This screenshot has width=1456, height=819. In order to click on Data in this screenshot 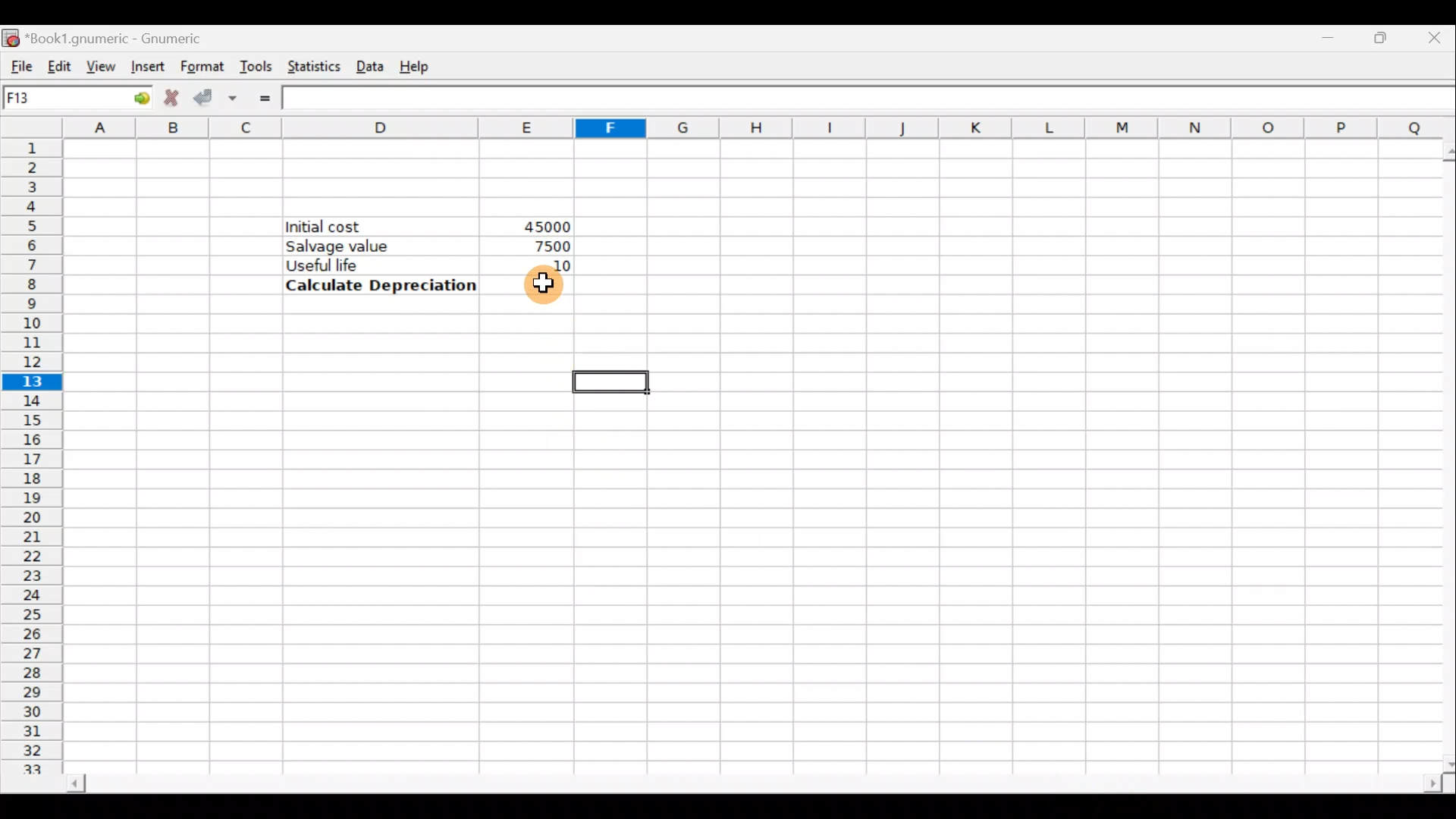, I will do `click(372, 64)`.